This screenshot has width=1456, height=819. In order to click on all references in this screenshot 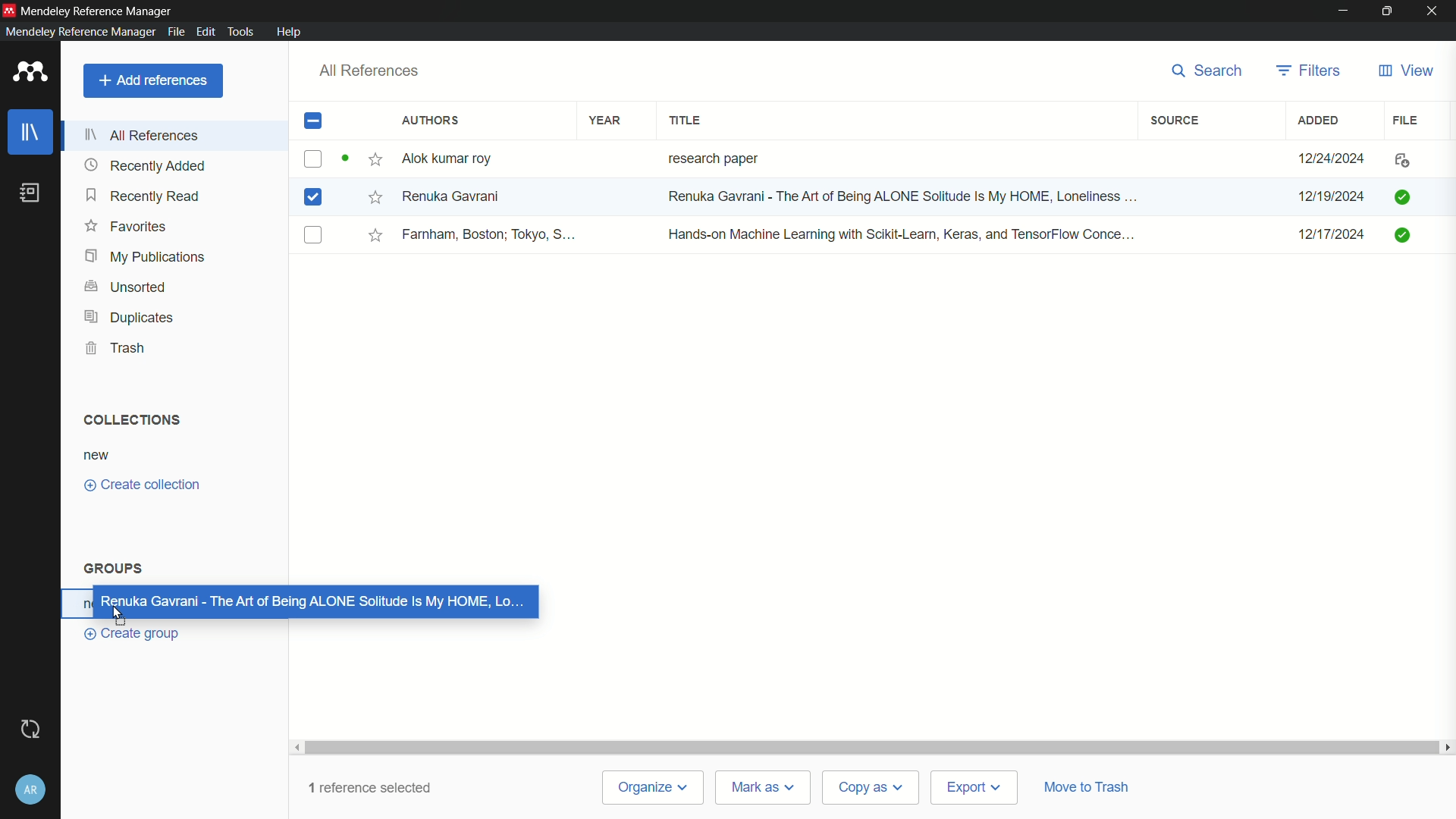, I will do `click(369, 71)`.